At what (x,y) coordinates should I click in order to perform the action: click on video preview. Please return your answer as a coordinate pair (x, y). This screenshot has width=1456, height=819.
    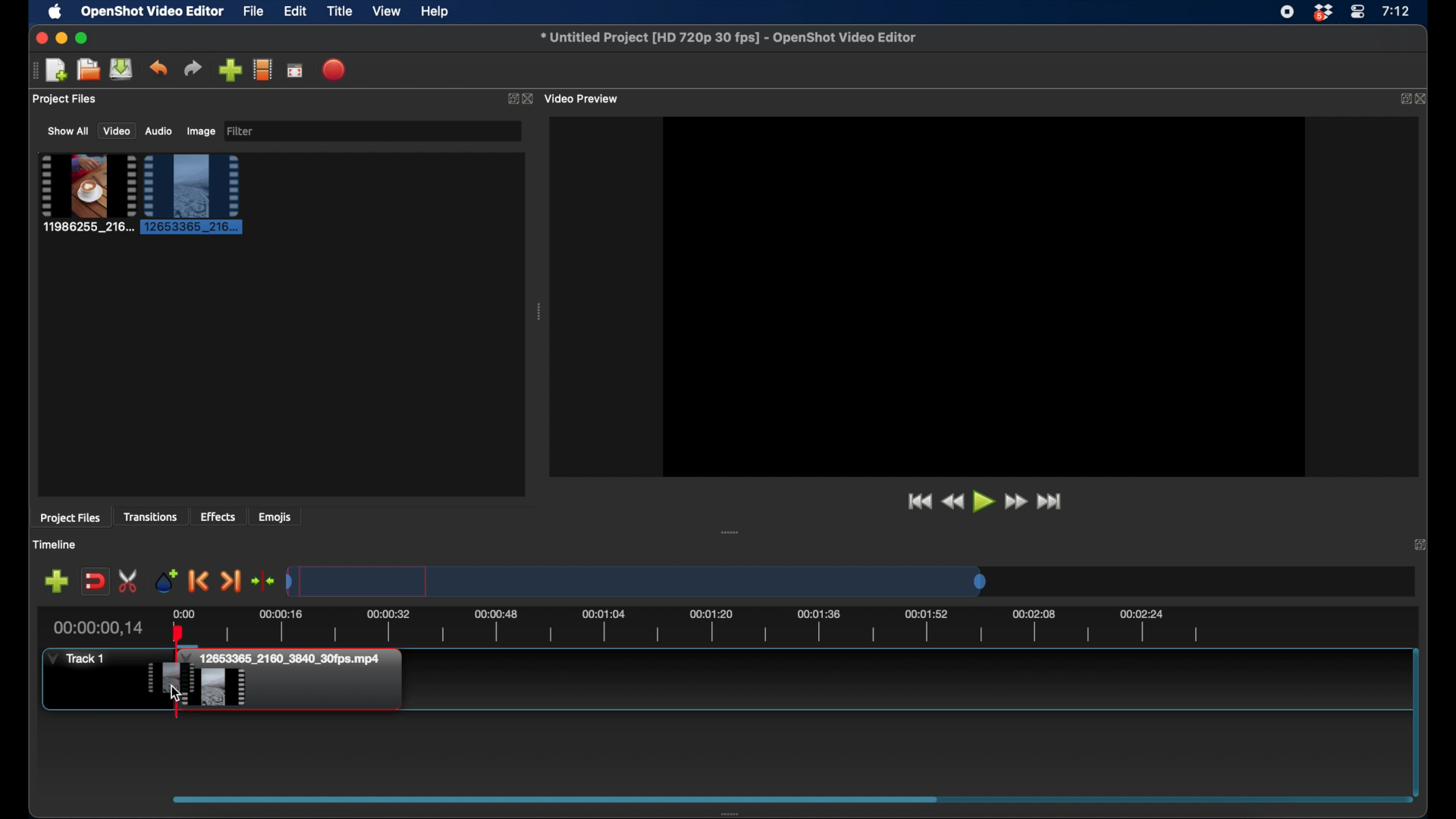
    Looking at the image, I should click on (586, 98).